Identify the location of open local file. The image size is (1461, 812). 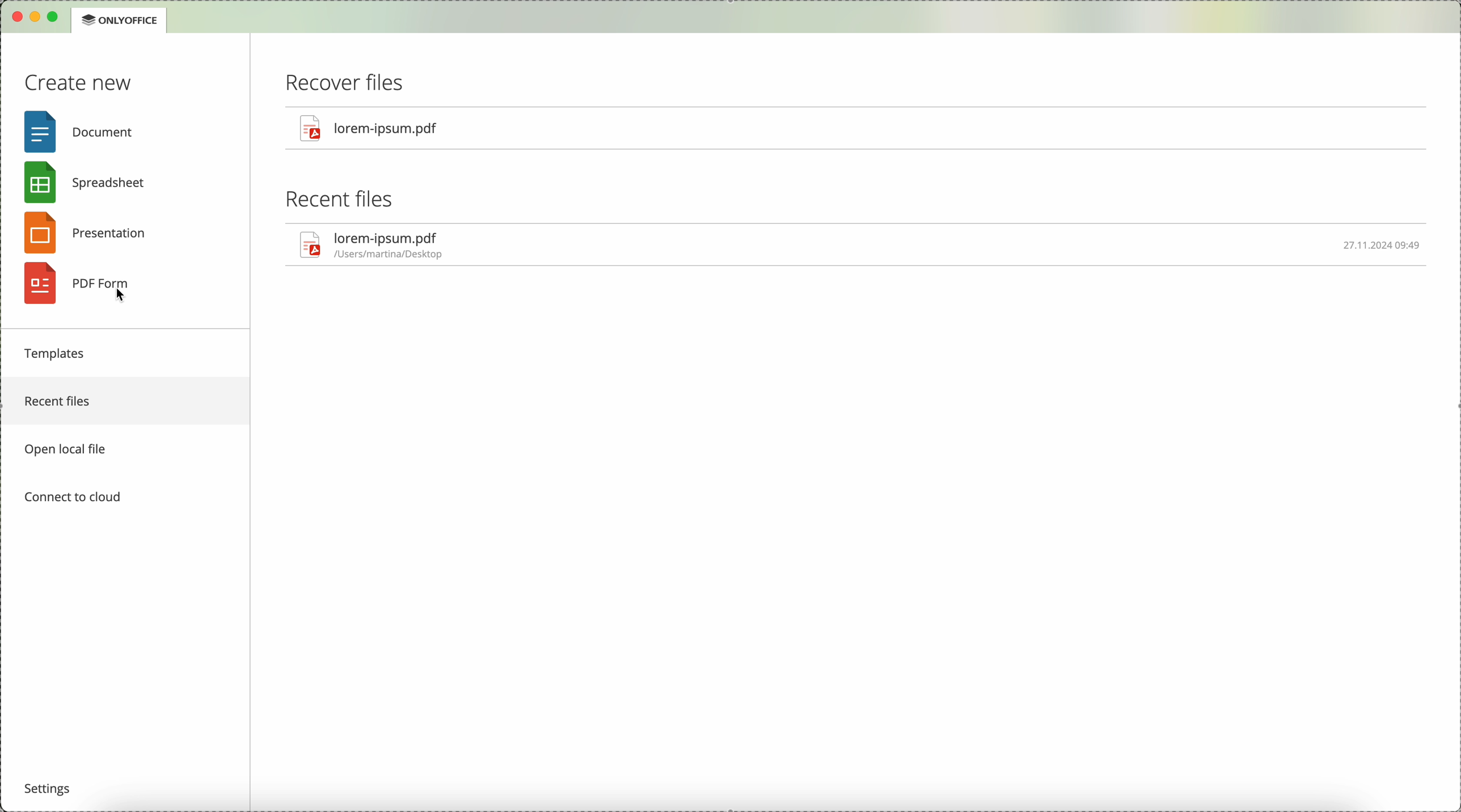
(74, 448).